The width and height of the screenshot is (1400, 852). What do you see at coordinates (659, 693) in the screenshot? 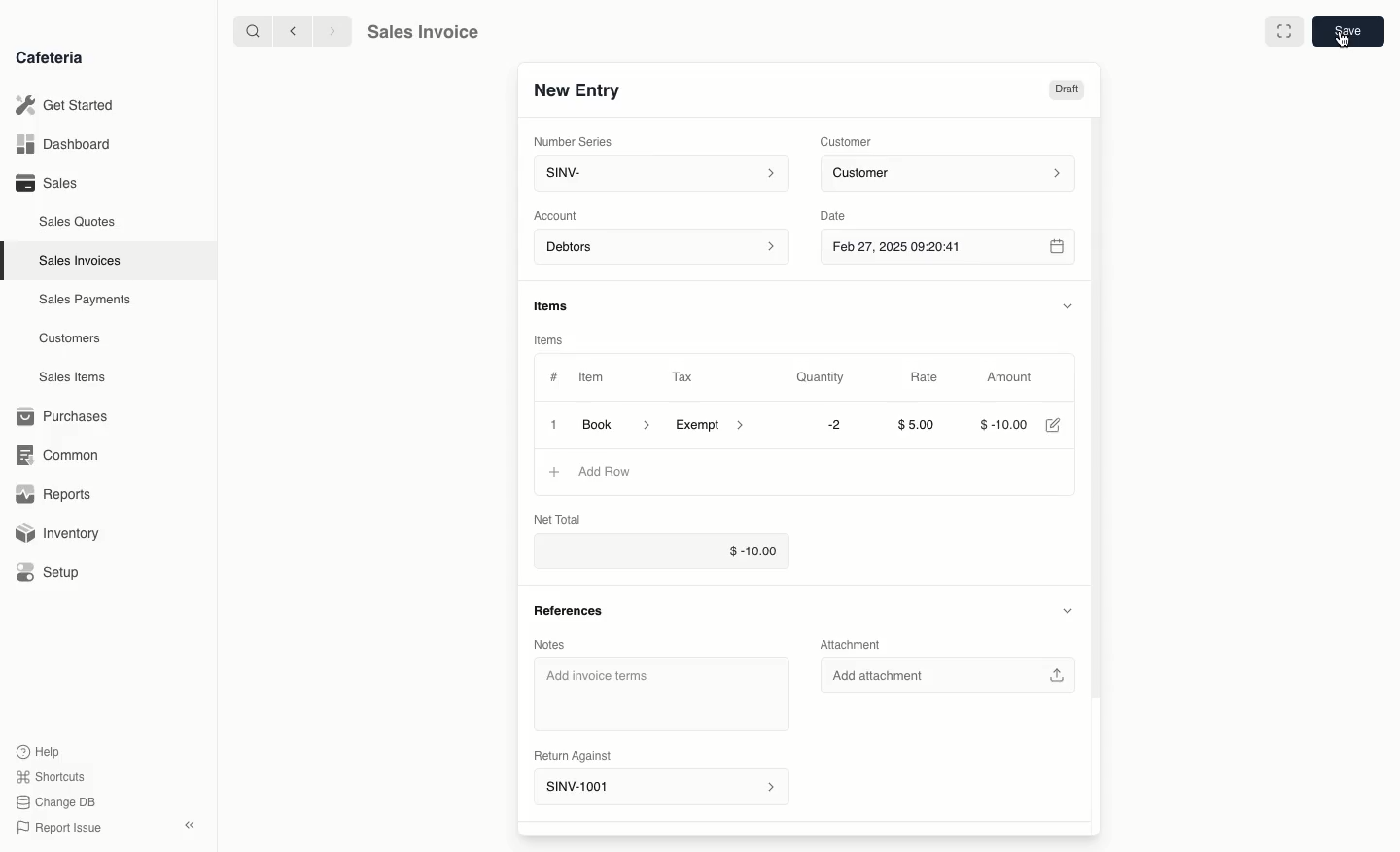
I see `Add invoice terms` at bounding box center [659, 693].